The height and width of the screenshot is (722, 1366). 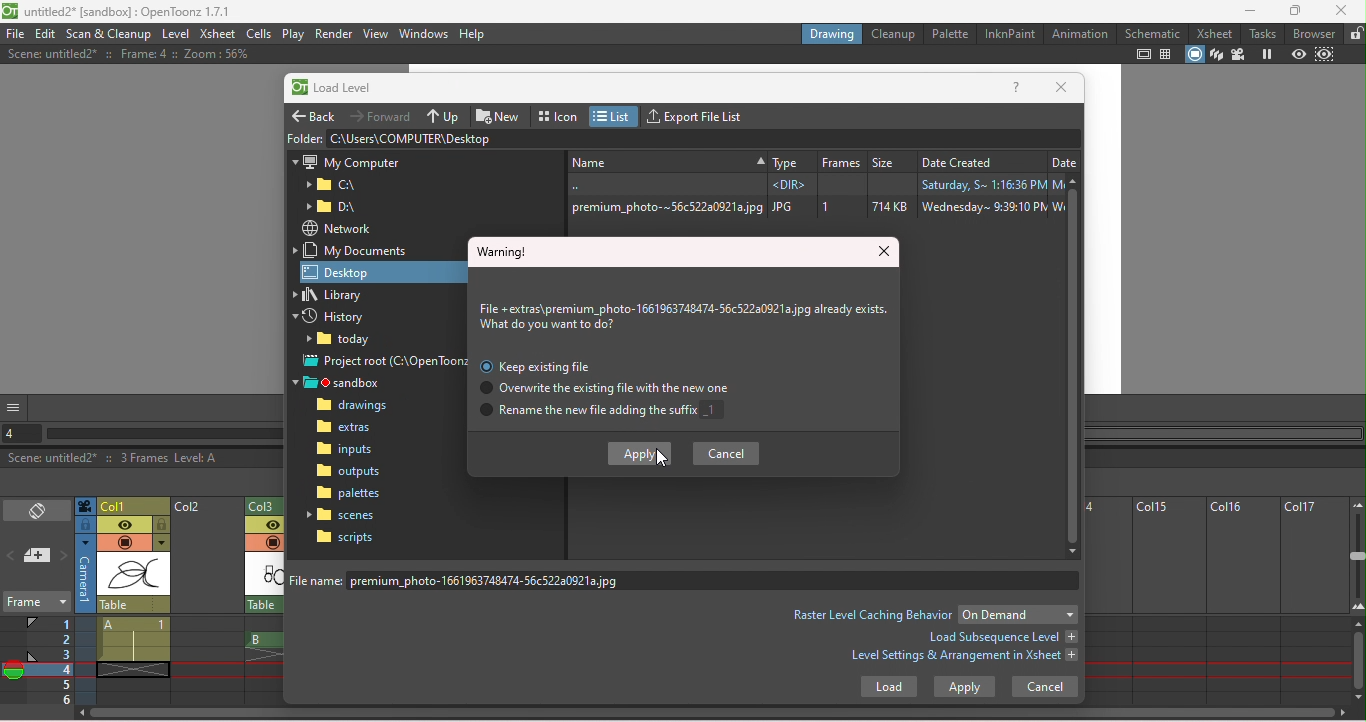 What do you see at coordinates (164, 434) in the screenshot?
I see `Horizontal scroll bar` at bounding box center [164, 434].